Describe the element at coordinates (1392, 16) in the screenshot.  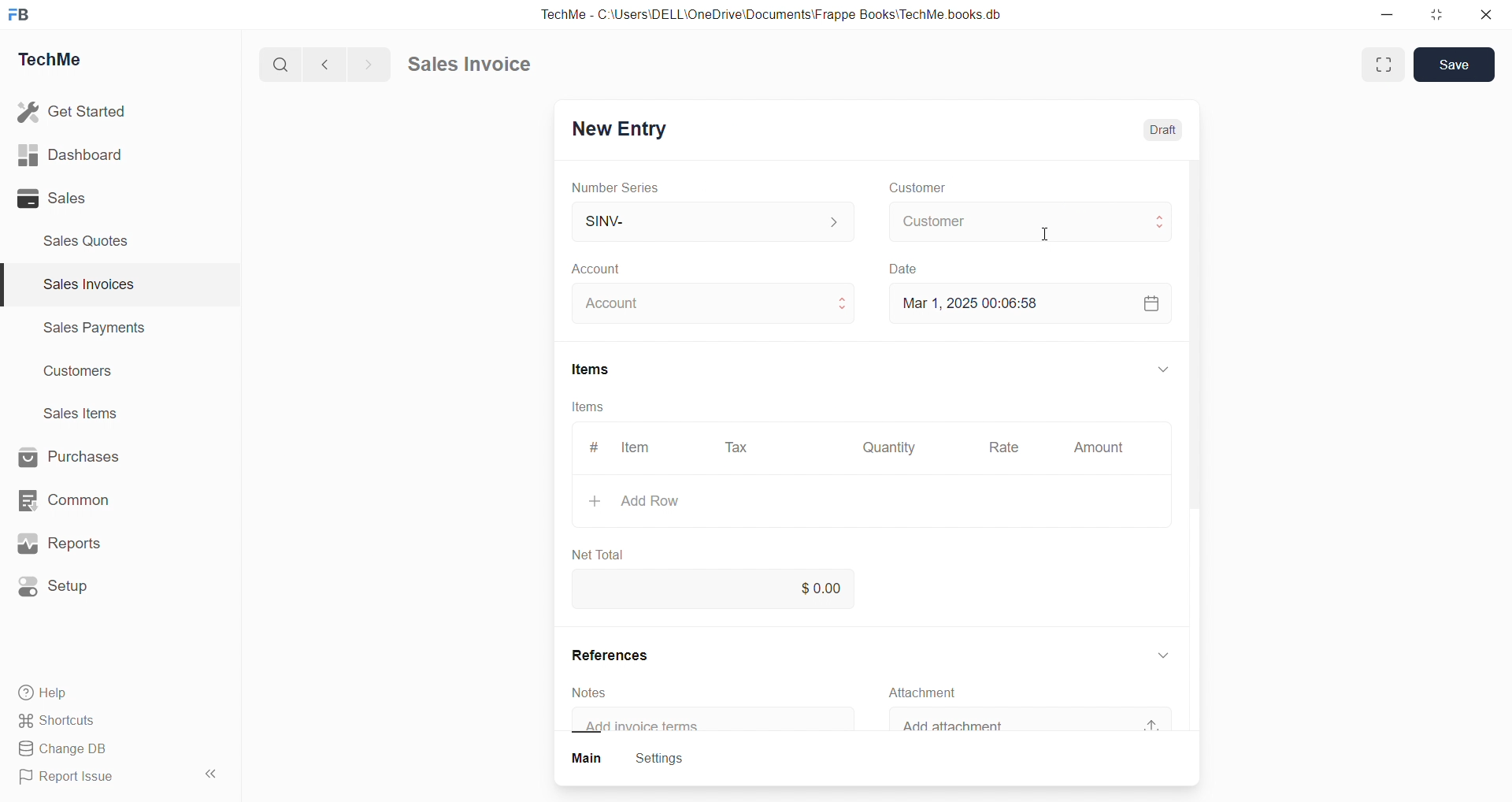
I see `Minimize` at that location.